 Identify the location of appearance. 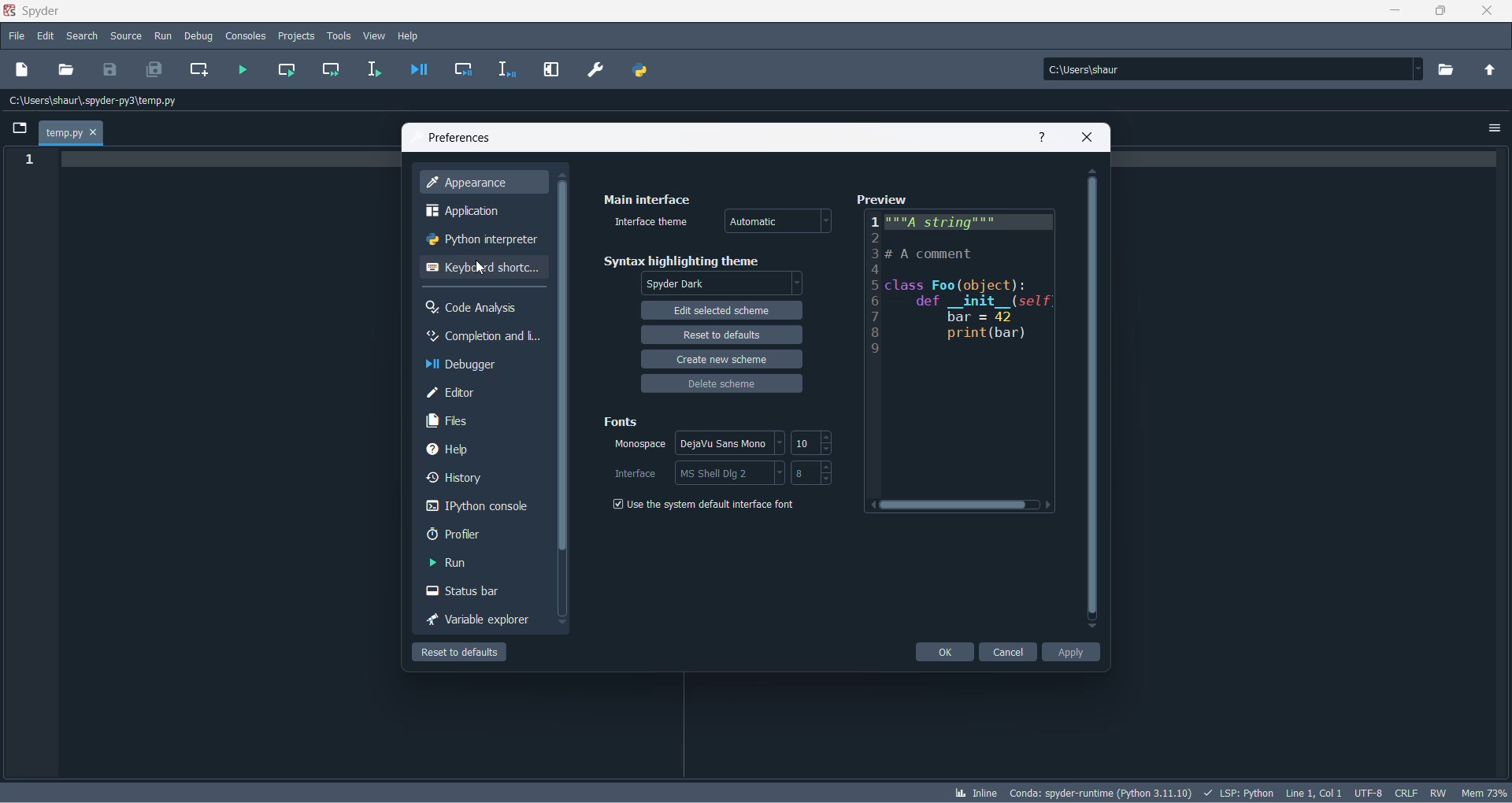
(485, 183).